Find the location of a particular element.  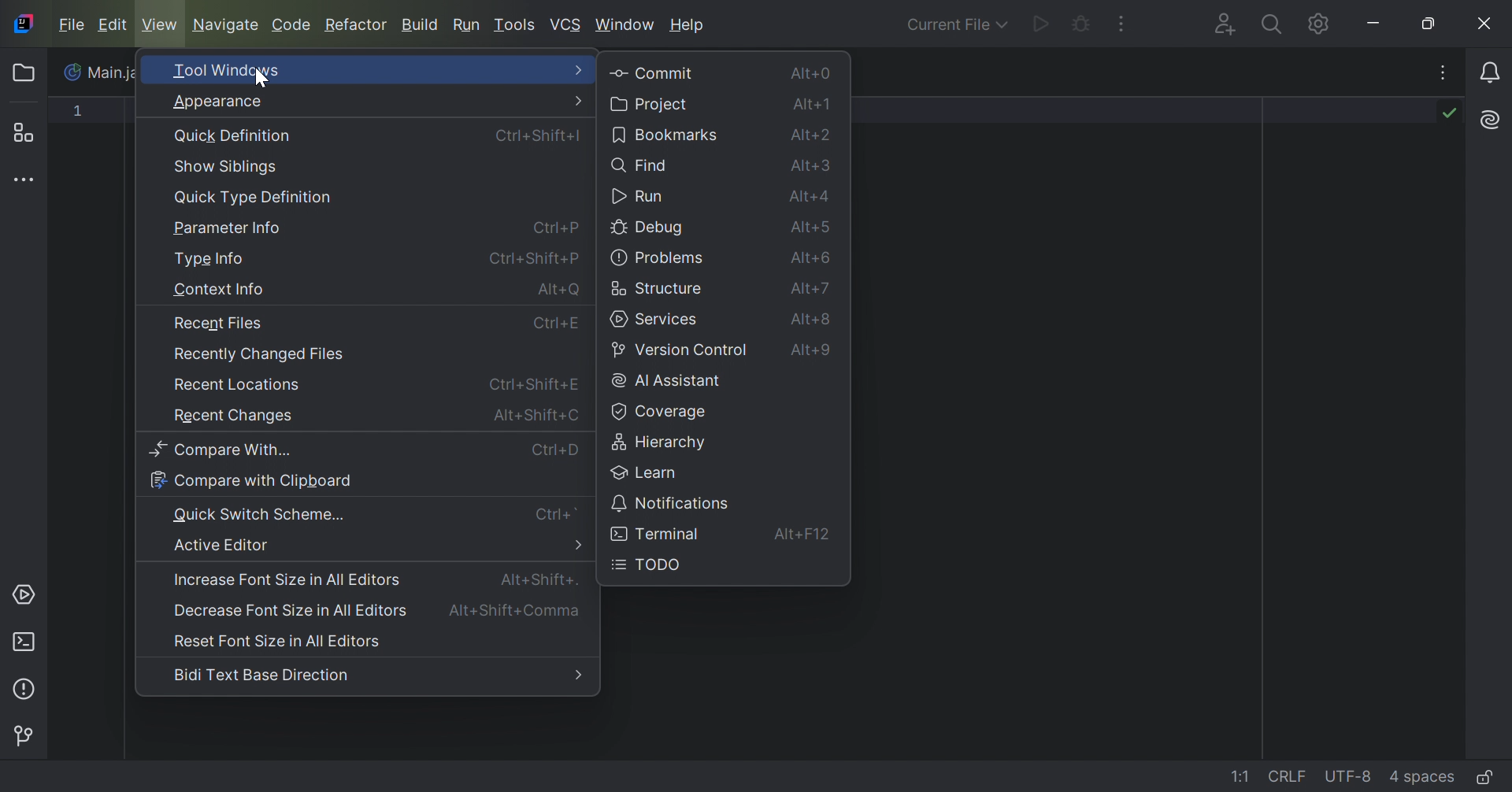

More is located at coordinates (580, 546).